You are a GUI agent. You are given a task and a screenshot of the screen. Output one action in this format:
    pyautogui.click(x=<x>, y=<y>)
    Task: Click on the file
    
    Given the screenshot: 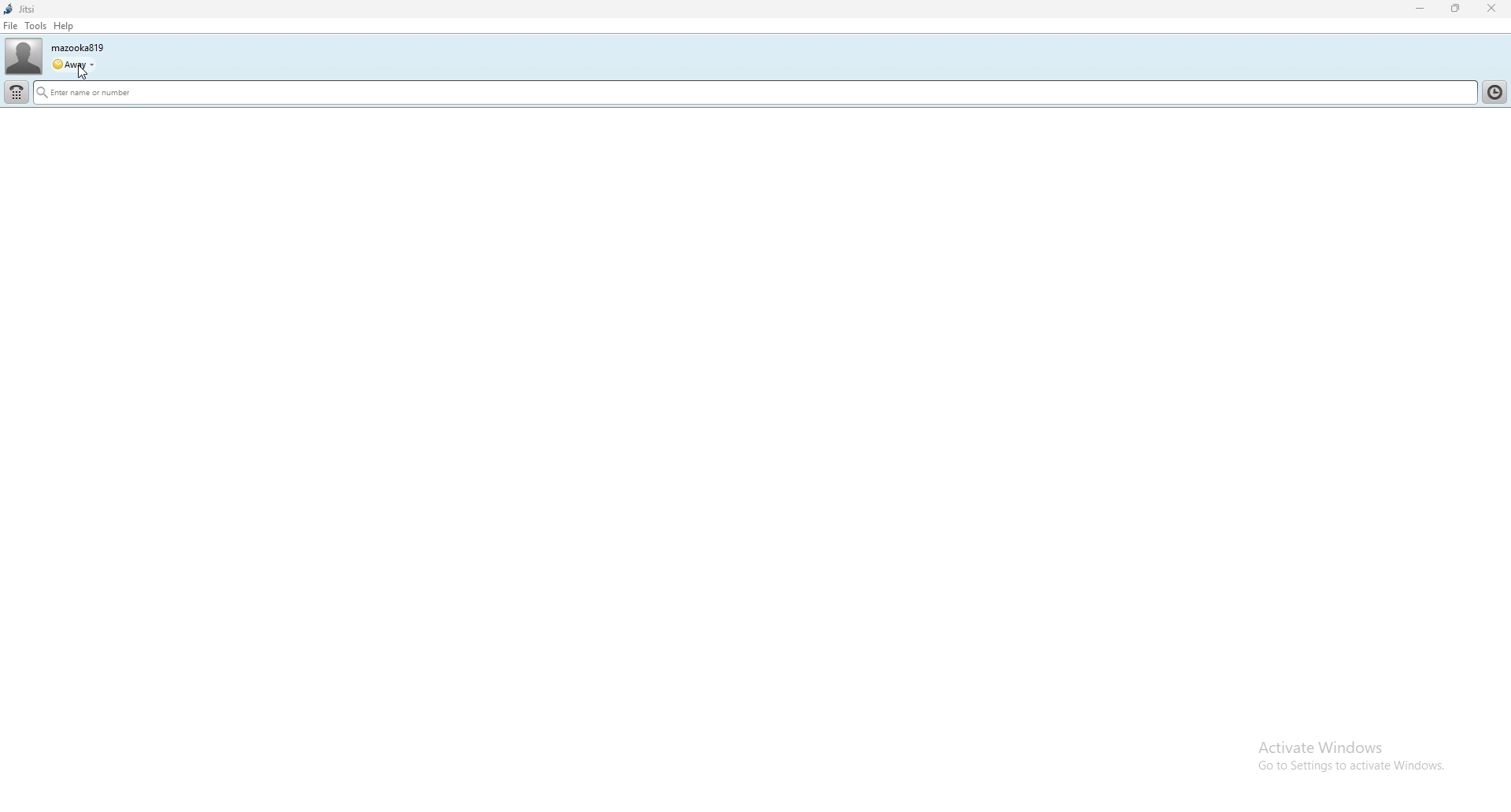 What is the action you would take?
    pyautogui.click(x=10, y=26)
    